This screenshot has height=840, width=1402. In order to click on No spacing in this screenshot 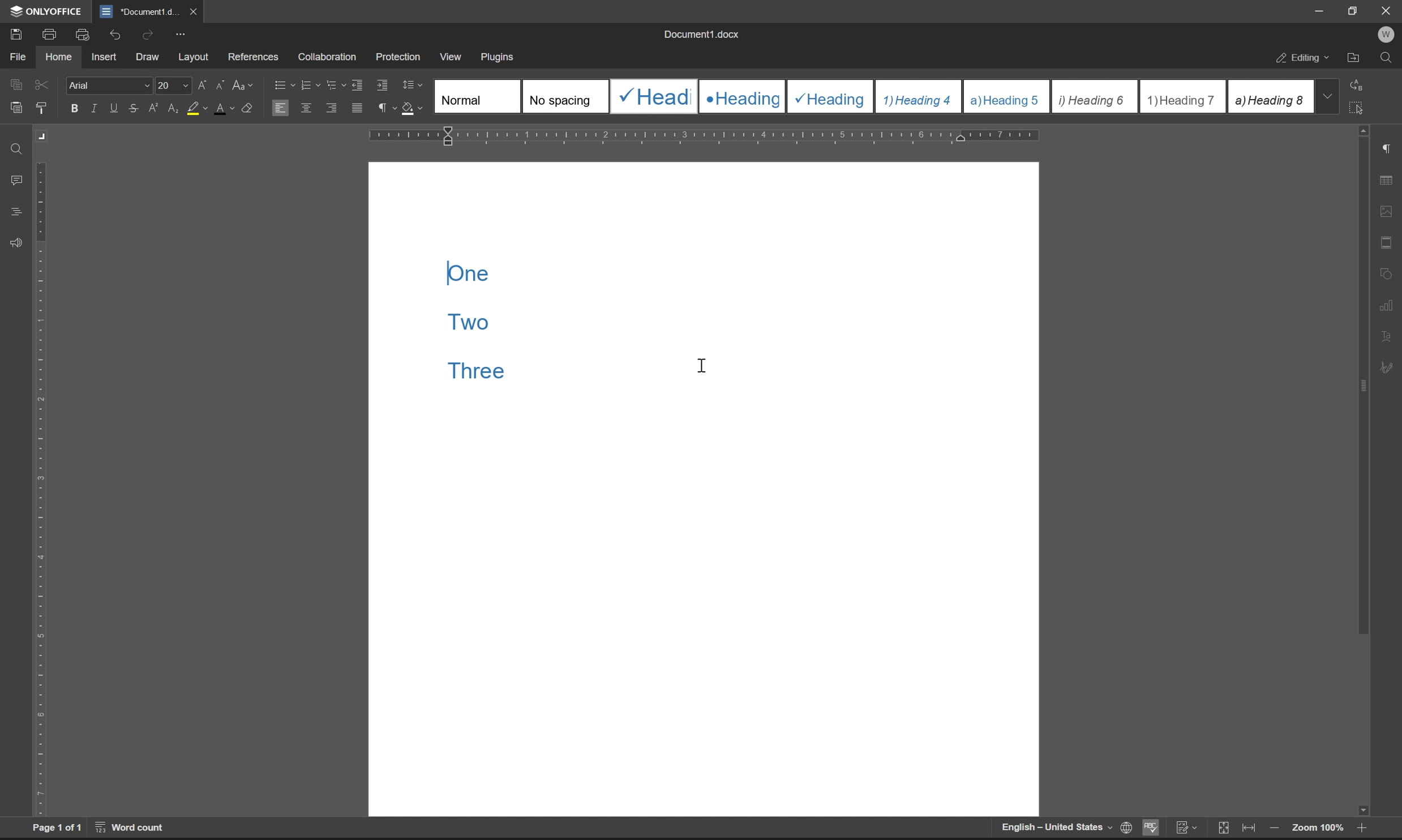, I will do `click(564, 96)`.